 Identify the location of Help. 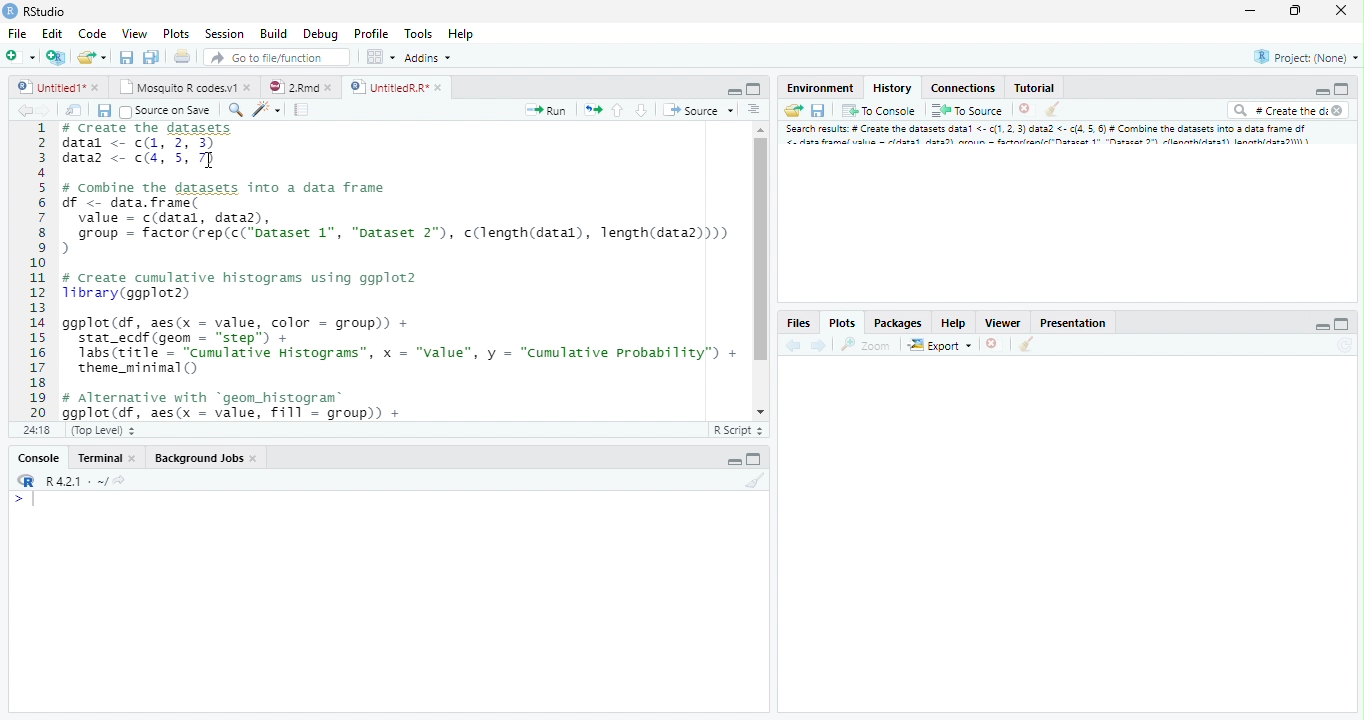
(460, 34).